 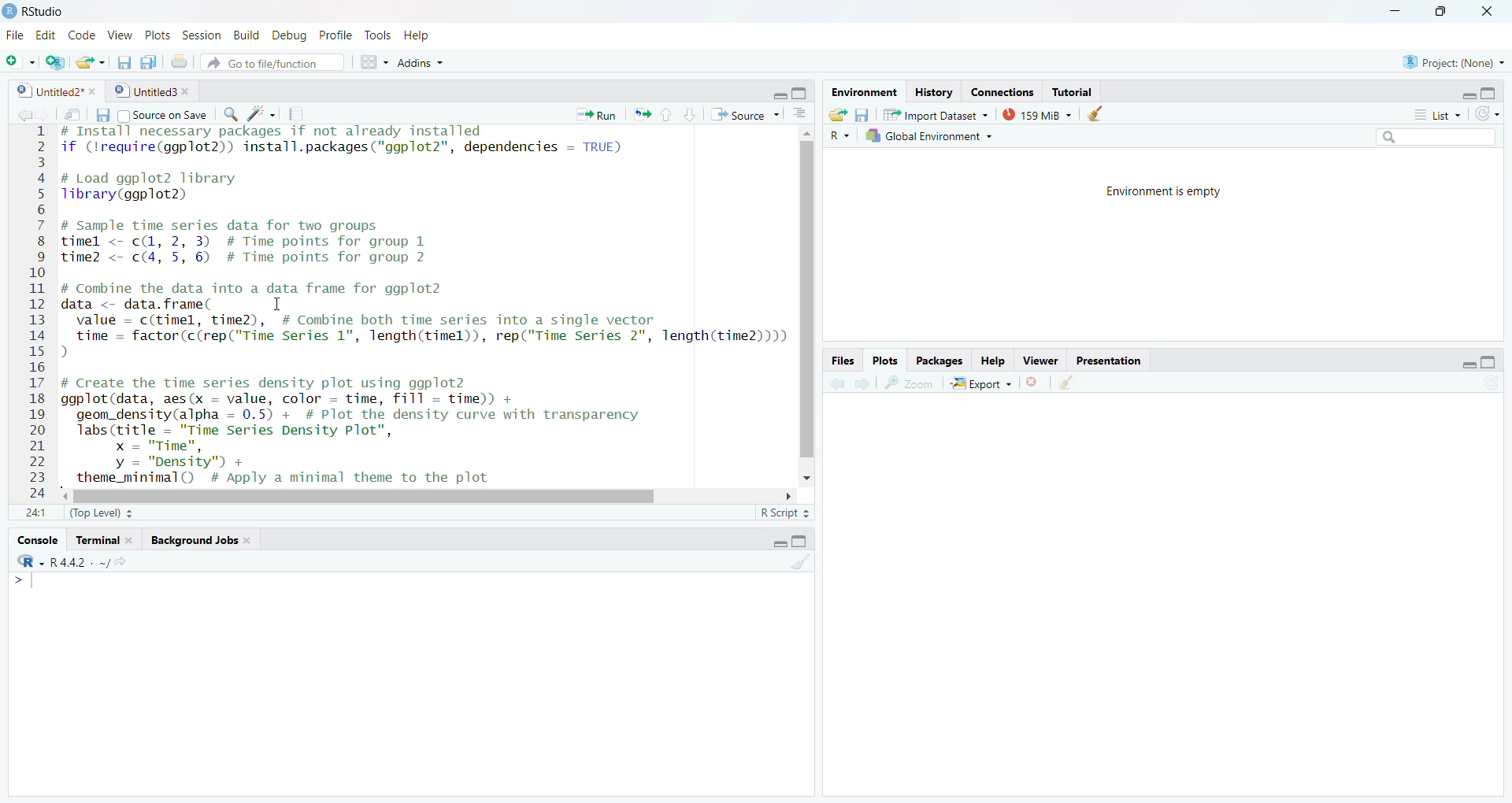 What do you see at coordinates (884, 362) in the screenshot?
I see `Plots` at bounding box center [884, 362].